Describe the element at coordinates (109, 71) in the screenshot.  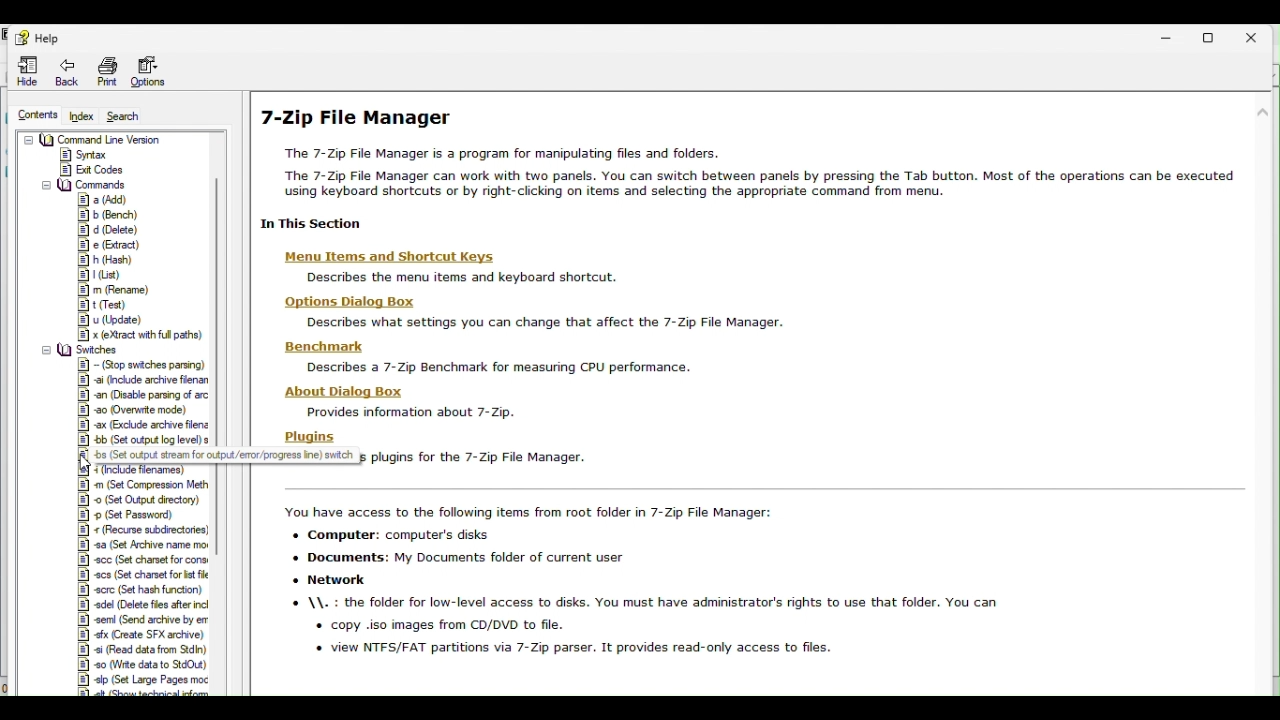
I see `print` at that location.